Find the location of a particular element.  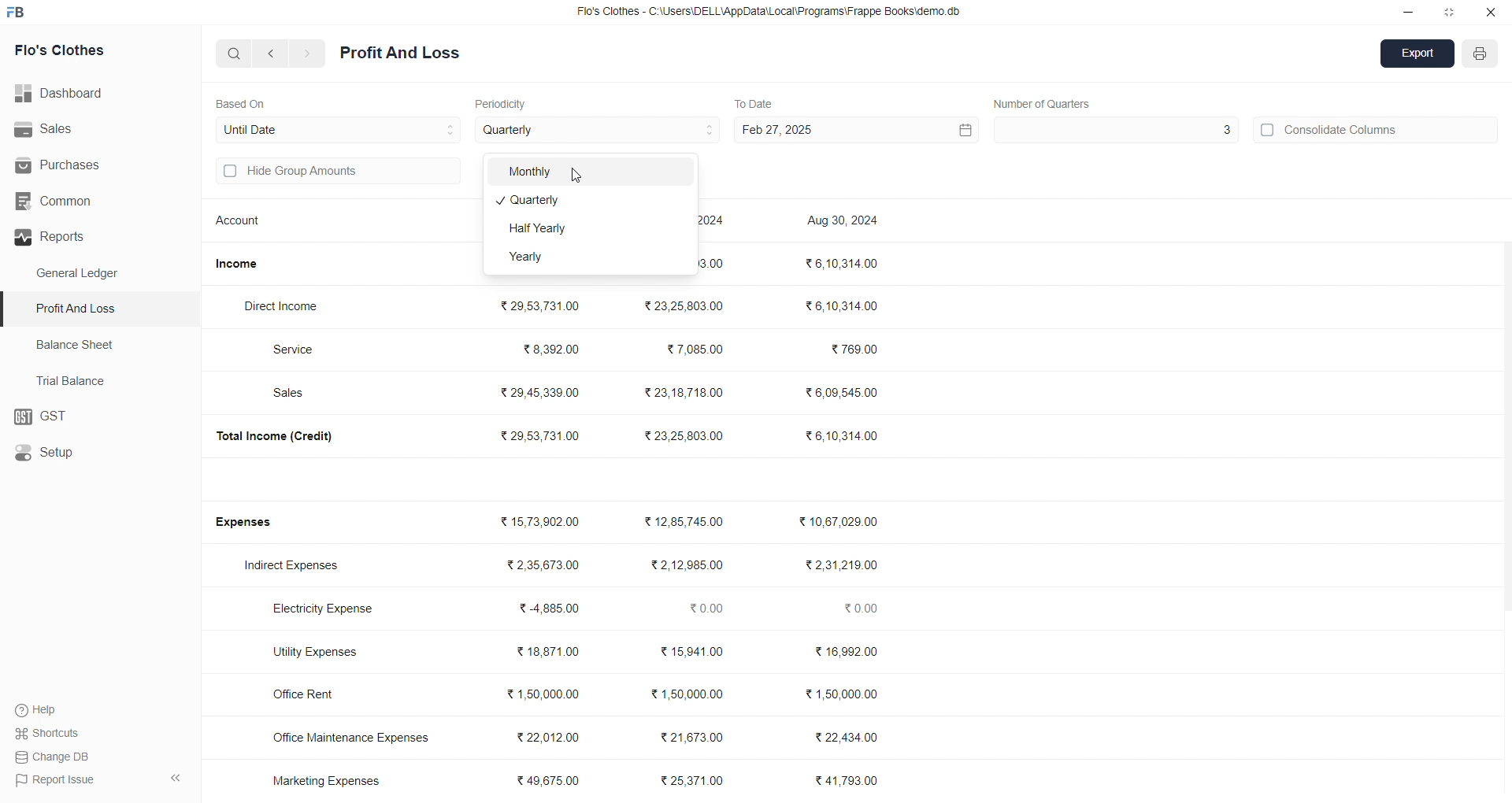

search is located at coordinates (235, 53).